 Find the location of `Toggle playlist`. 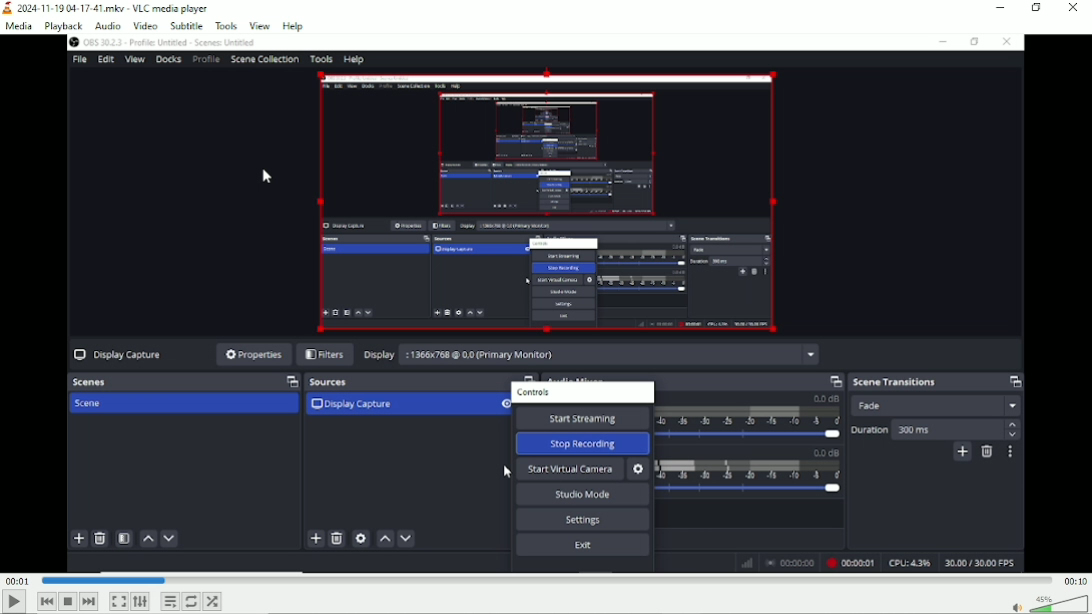

Toggle playlist is located at coordinates (170, 601).